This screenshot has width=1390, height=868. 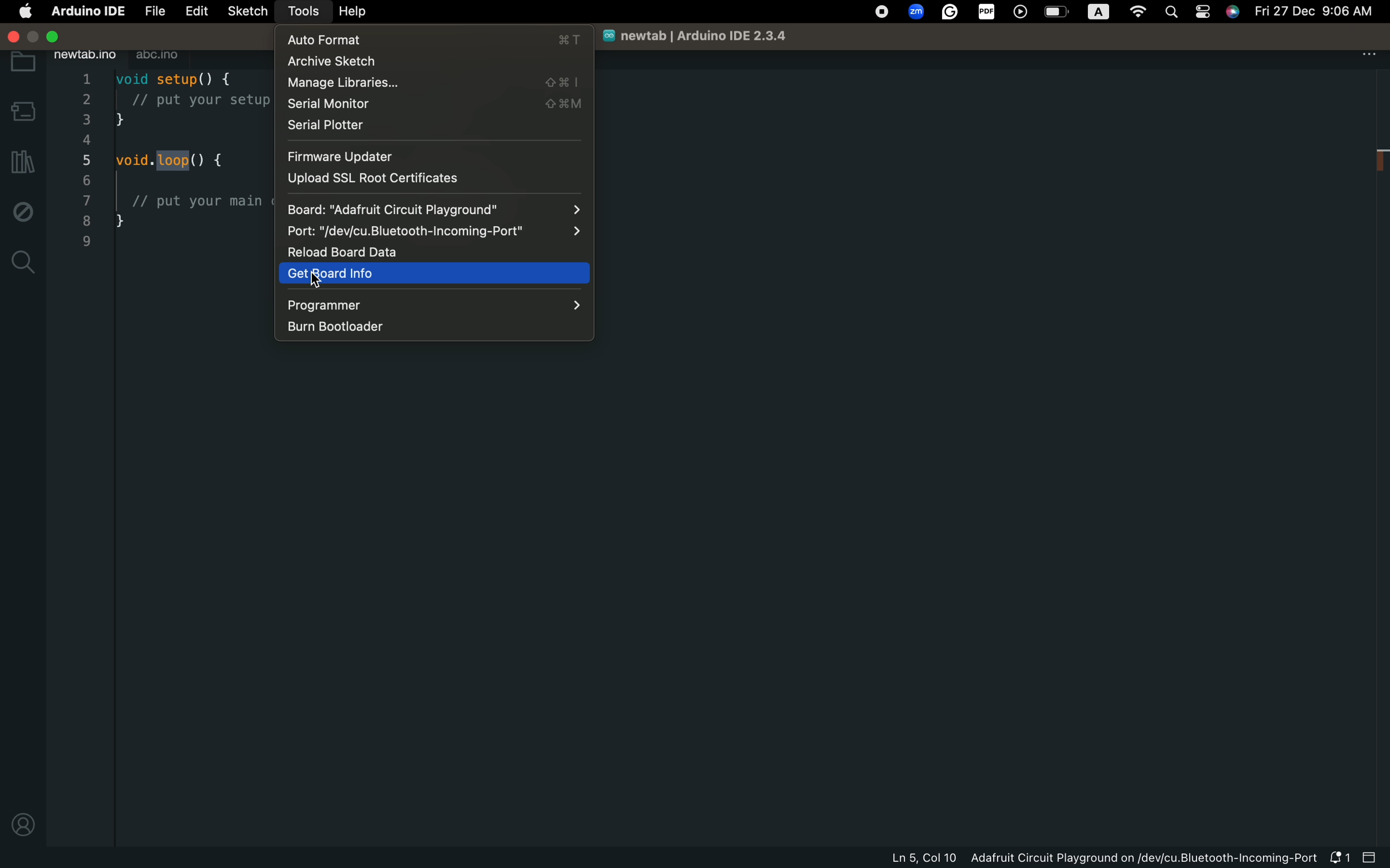 What do you see at coordinates (916, 13) in the screenshot?
I see `Zoom` at bounding box center [916, 13].